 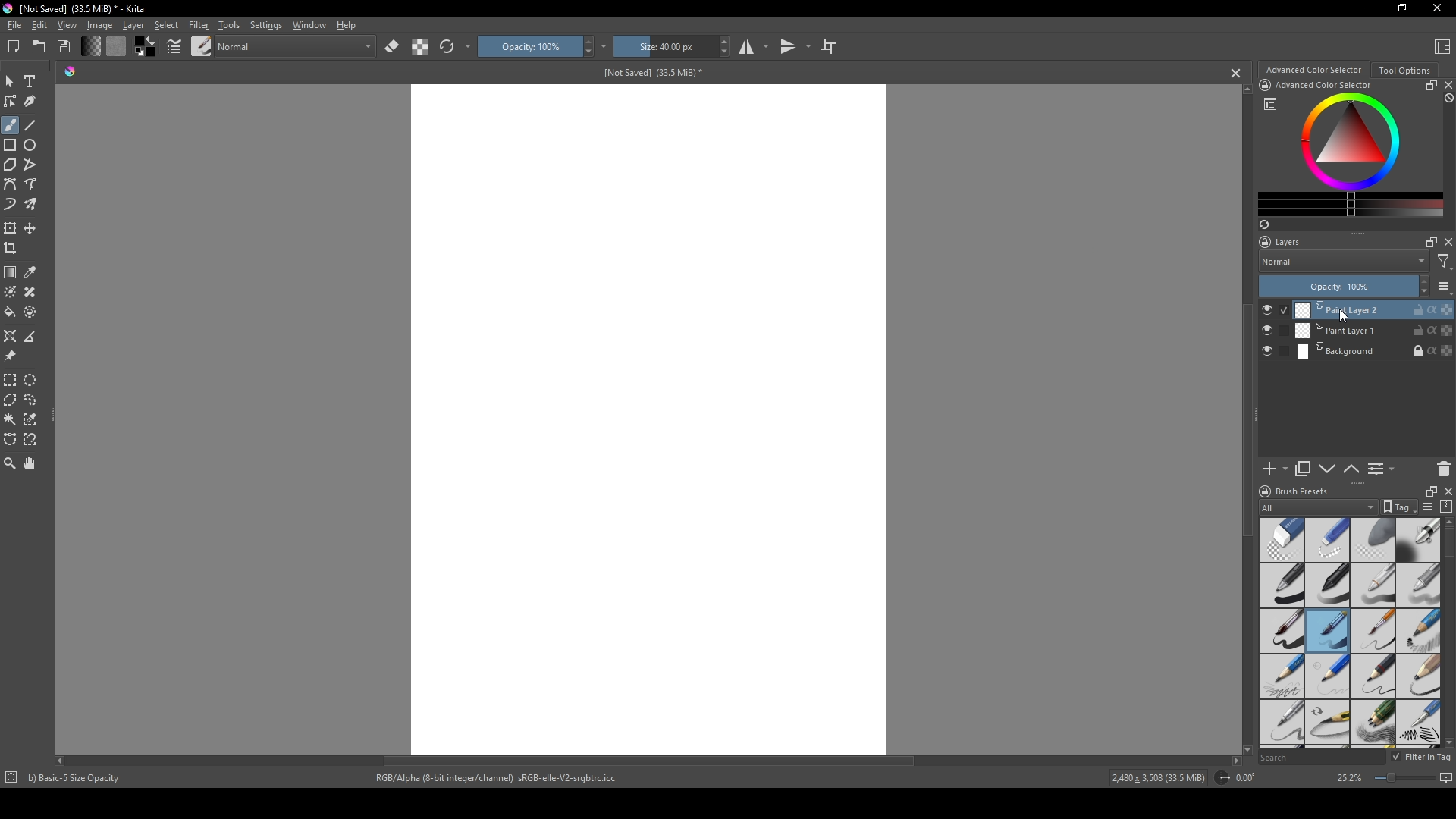 What do you see at coordinates (1304, 469) in the screenshot?
I see `copy` at bounding box center [1304, 469].